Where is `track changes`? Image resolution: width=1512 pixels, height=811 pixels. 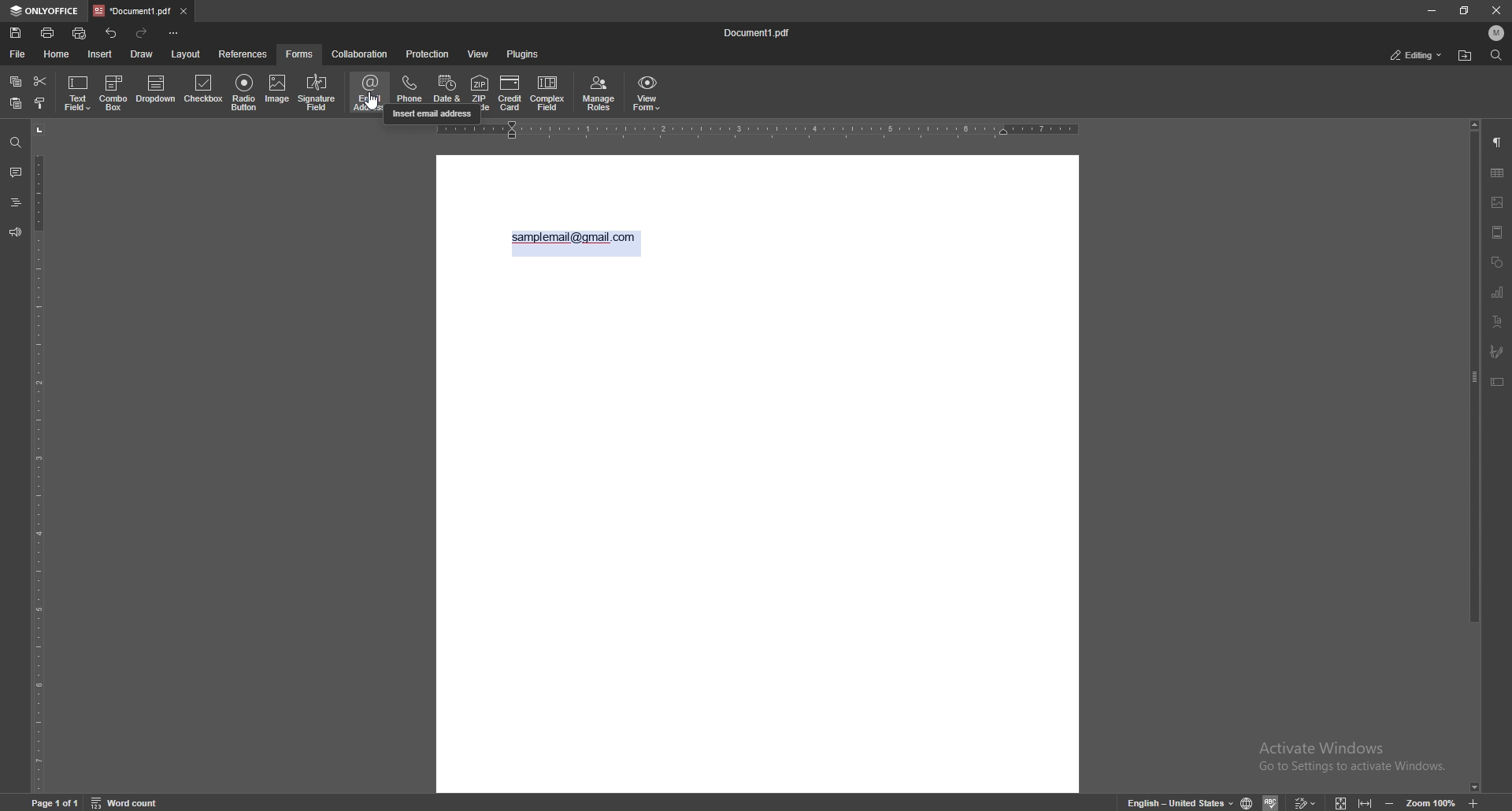 track changes is located at coordinates (1306, 802).